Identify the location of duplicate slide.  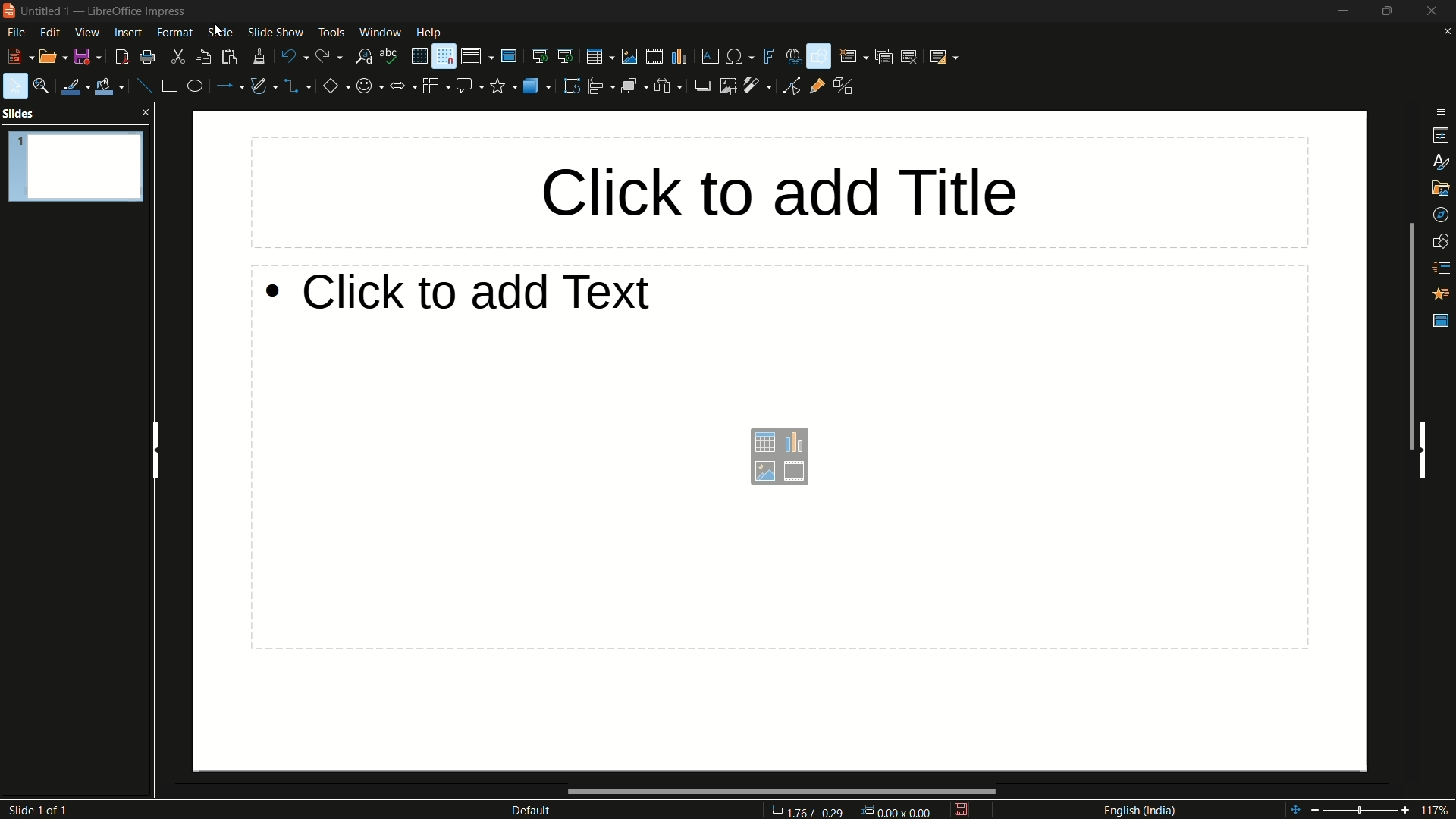
(881, 55).